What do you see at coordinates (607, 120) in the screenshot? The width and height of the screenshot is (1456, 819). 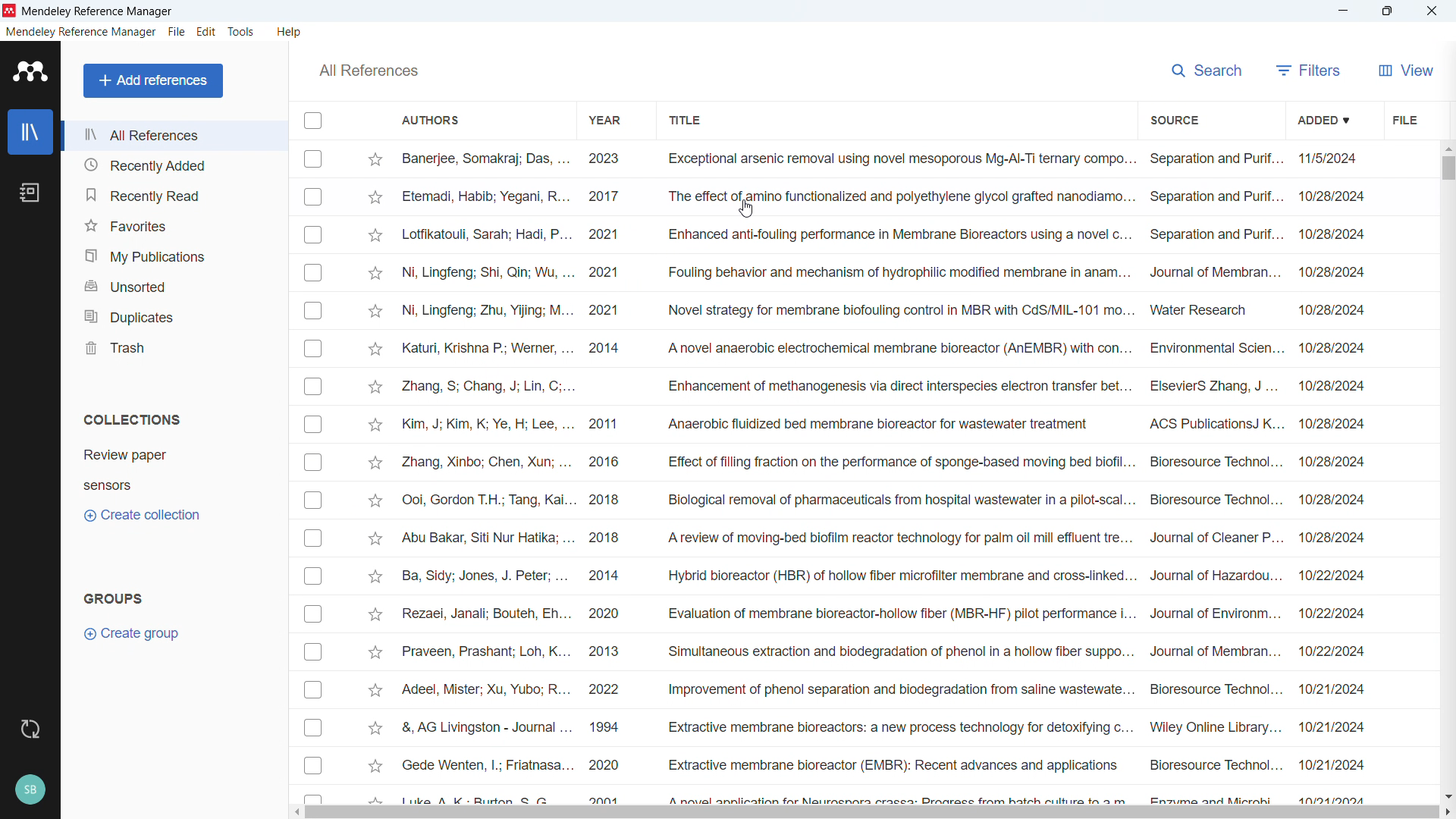 I see `sort by Year of publication` at bounding box center [607, 120].